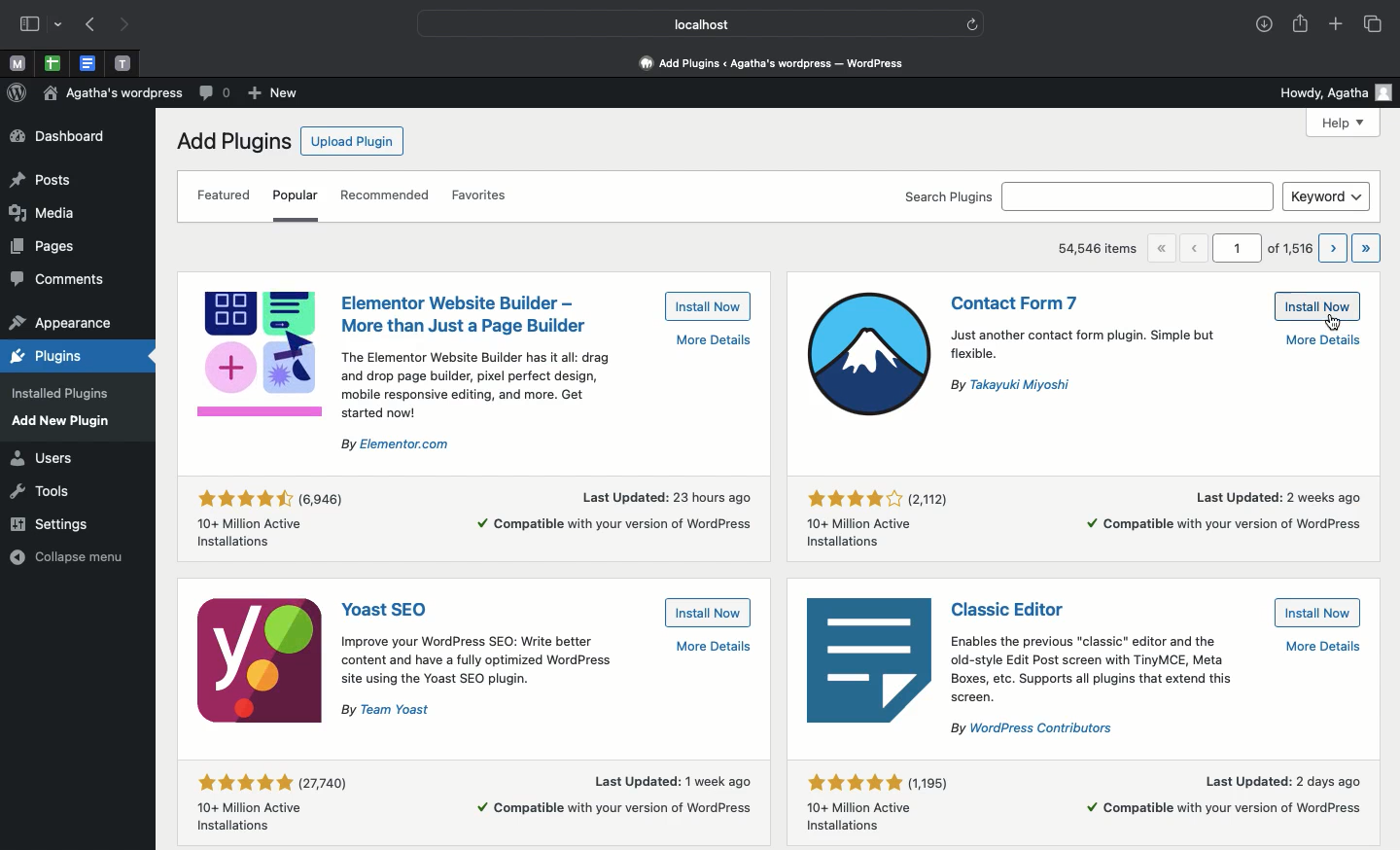  I want to click on Add new tab, so click(1336, 24).